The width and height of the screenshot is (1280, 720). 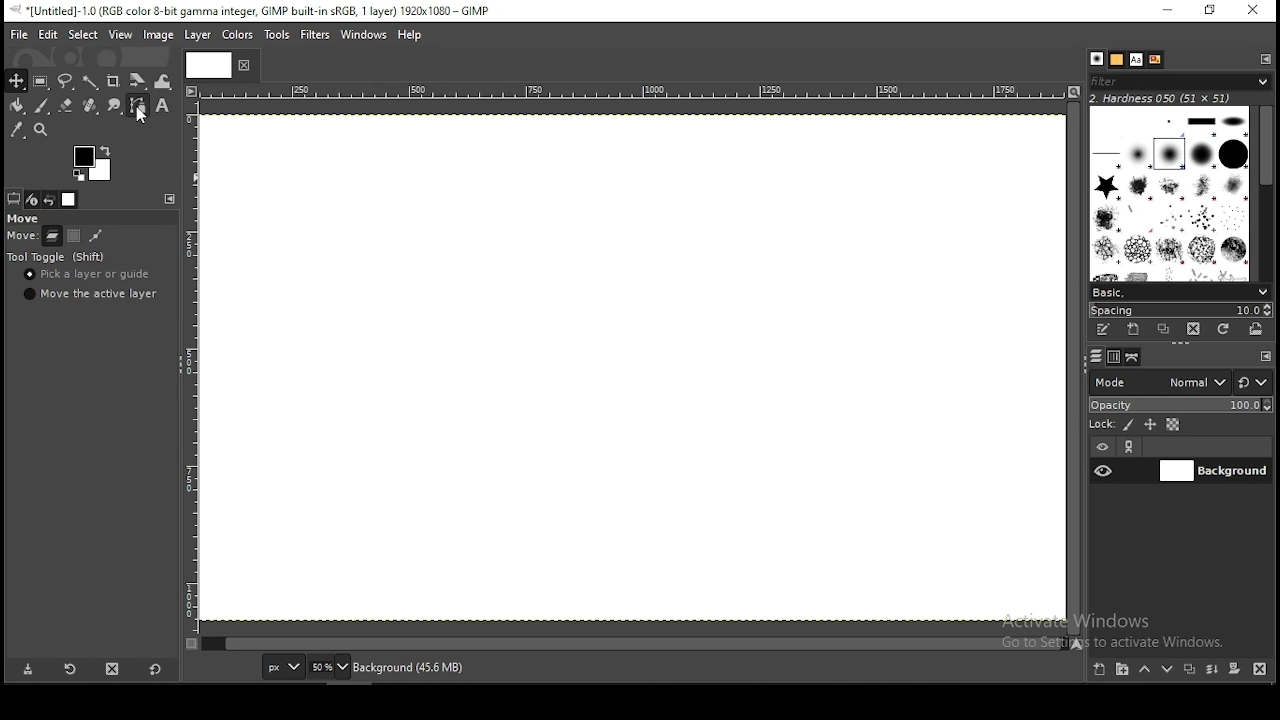 I want to click on paintbucket tool, so click(x=15, y=107).